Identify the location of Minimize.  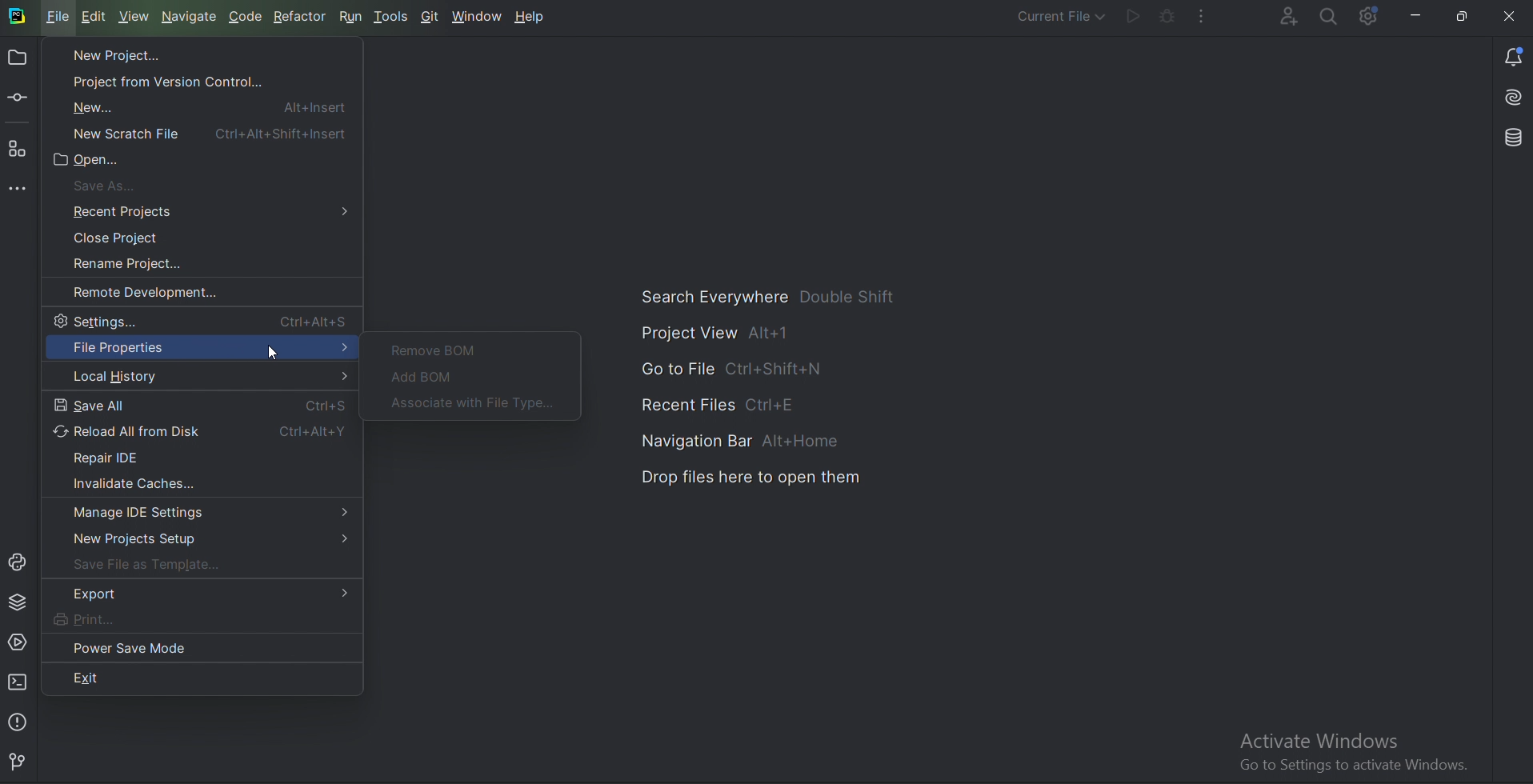
(1417, 16).